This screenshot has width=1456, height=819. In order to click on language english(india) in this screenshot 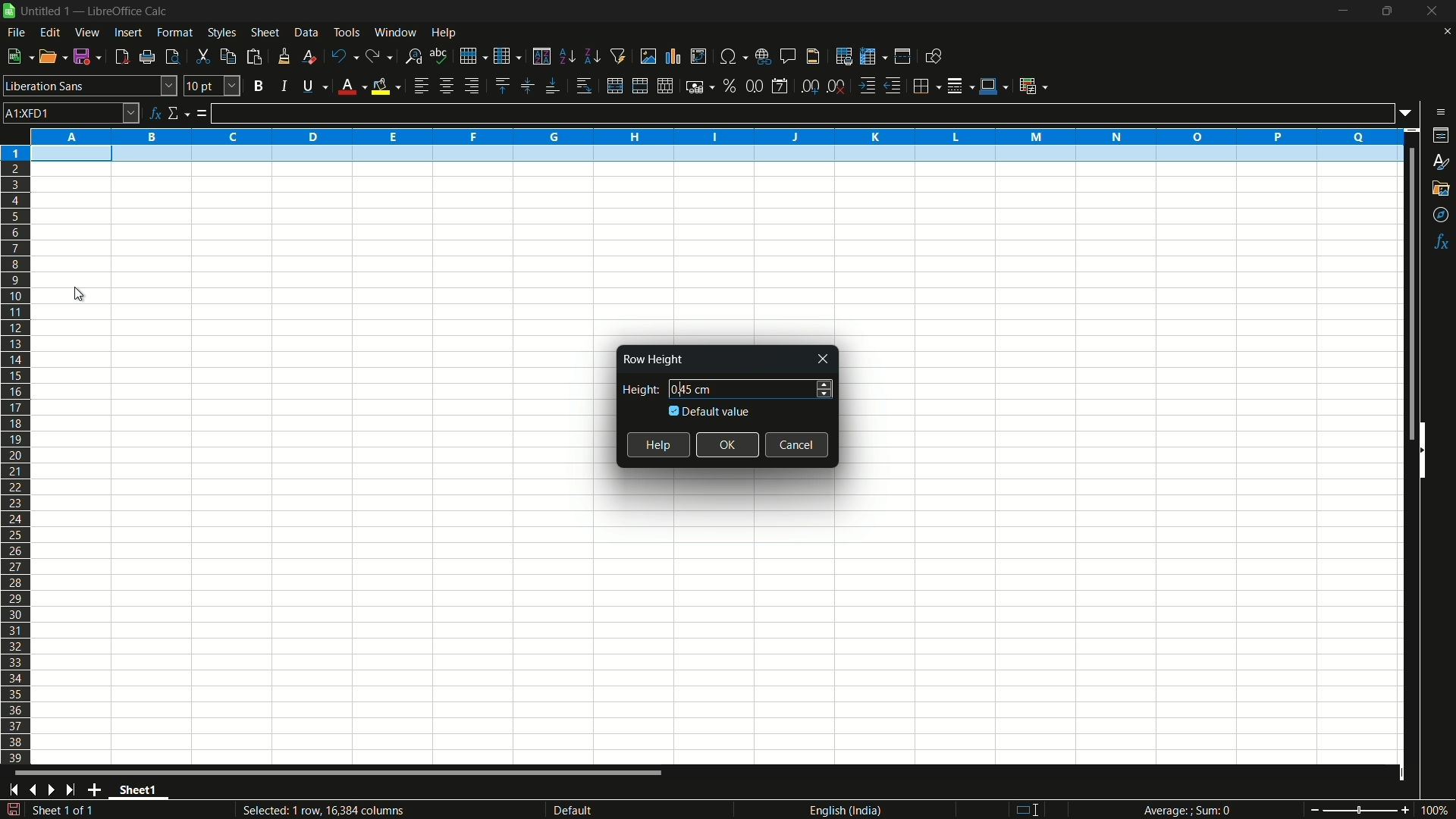, I will do `click(841, 810)`.